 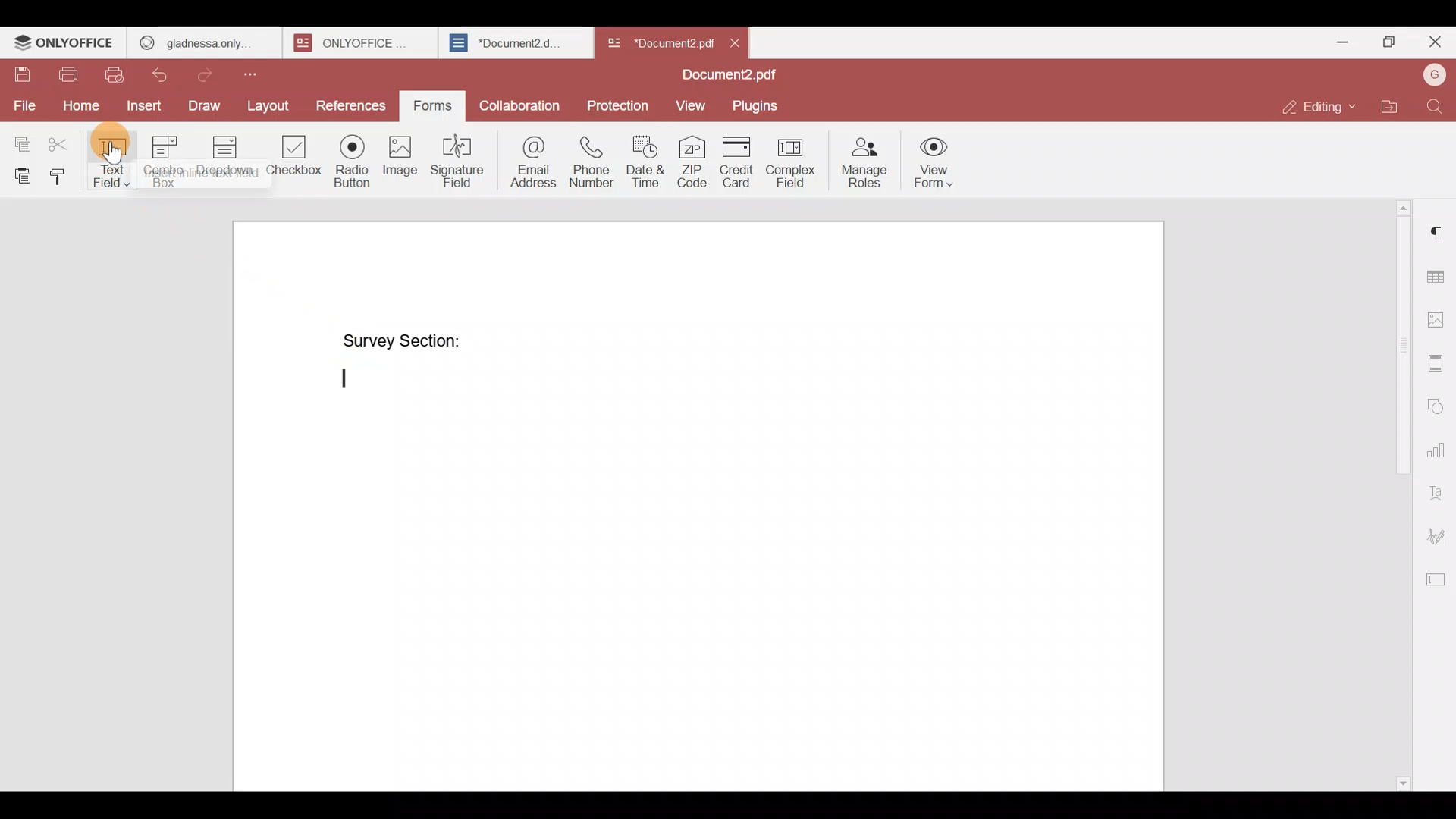 I want to click on Close, so click(x=1434, y=45).